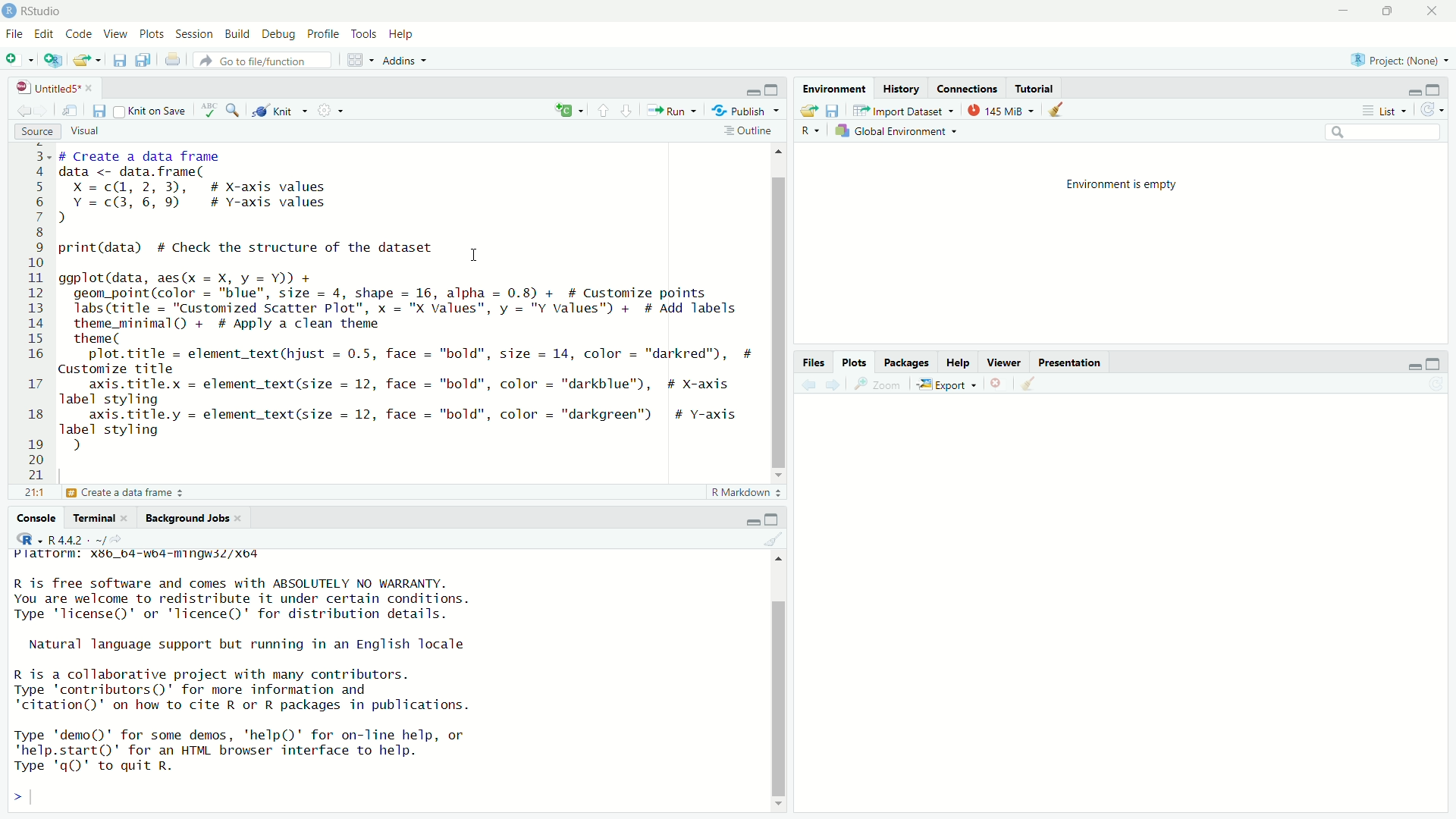 Image resolution: width=1456 pixels, height=819 pixels. What do you see at coordinates (364, 35) in the screenshot?
I see `Tools` at bounding box center [364, 35].